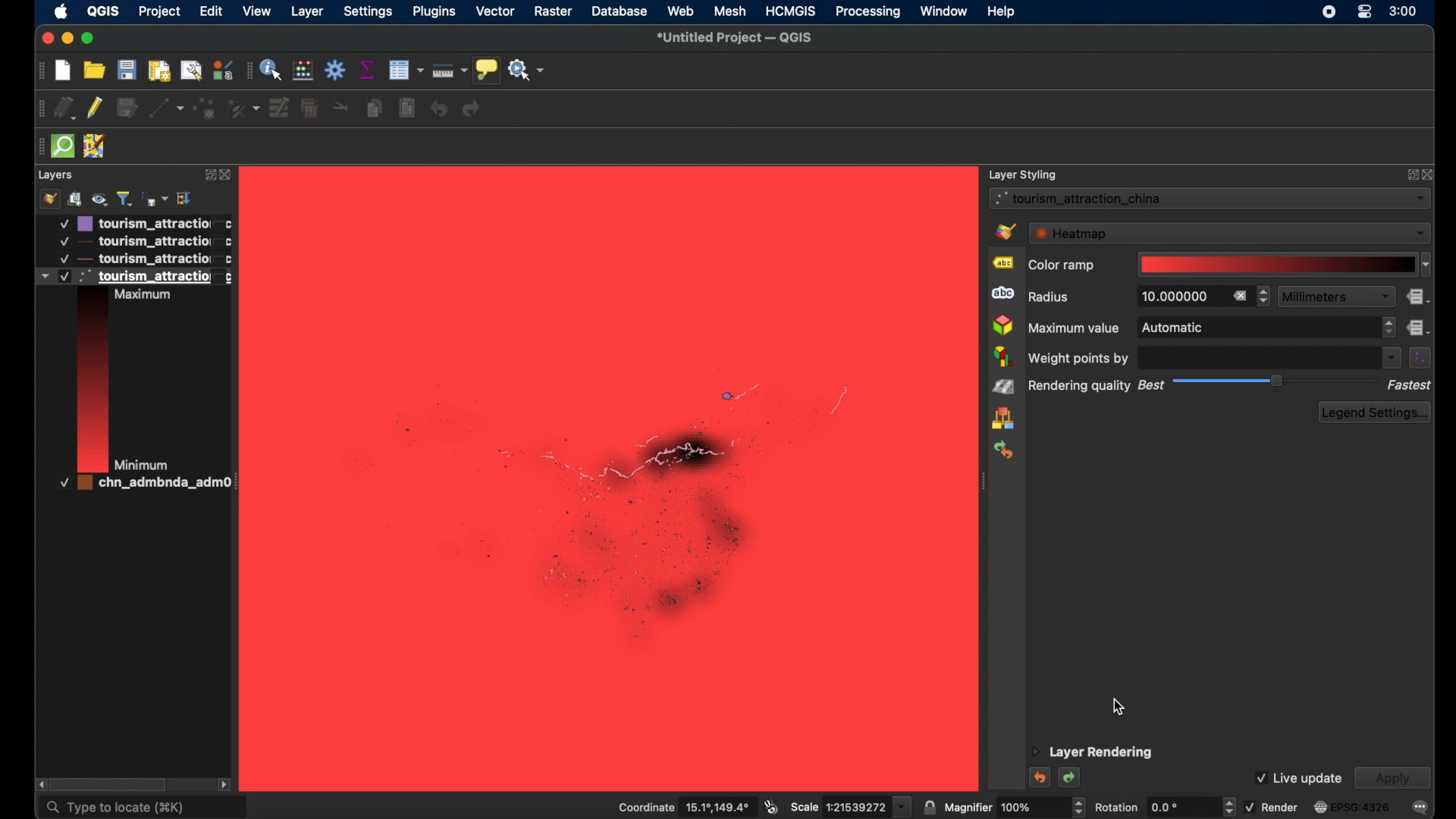 This screenshot has height=819, width=1456. What do you see at coordinates (554, 11) in the screenshot?
I see `raster` at bounding box center [554, 11].